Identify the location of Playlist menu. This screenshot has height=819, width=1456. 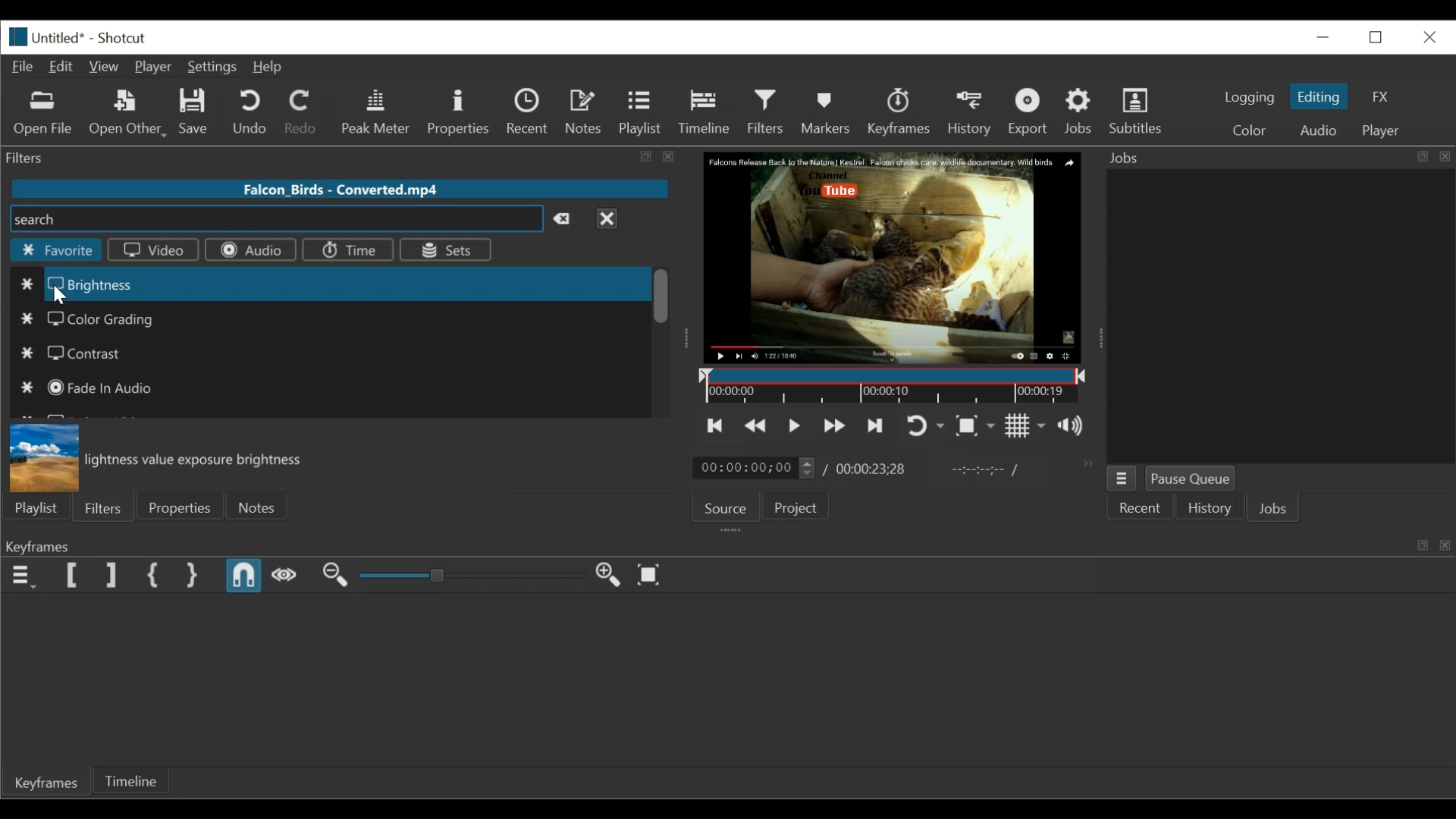
(36, 509).